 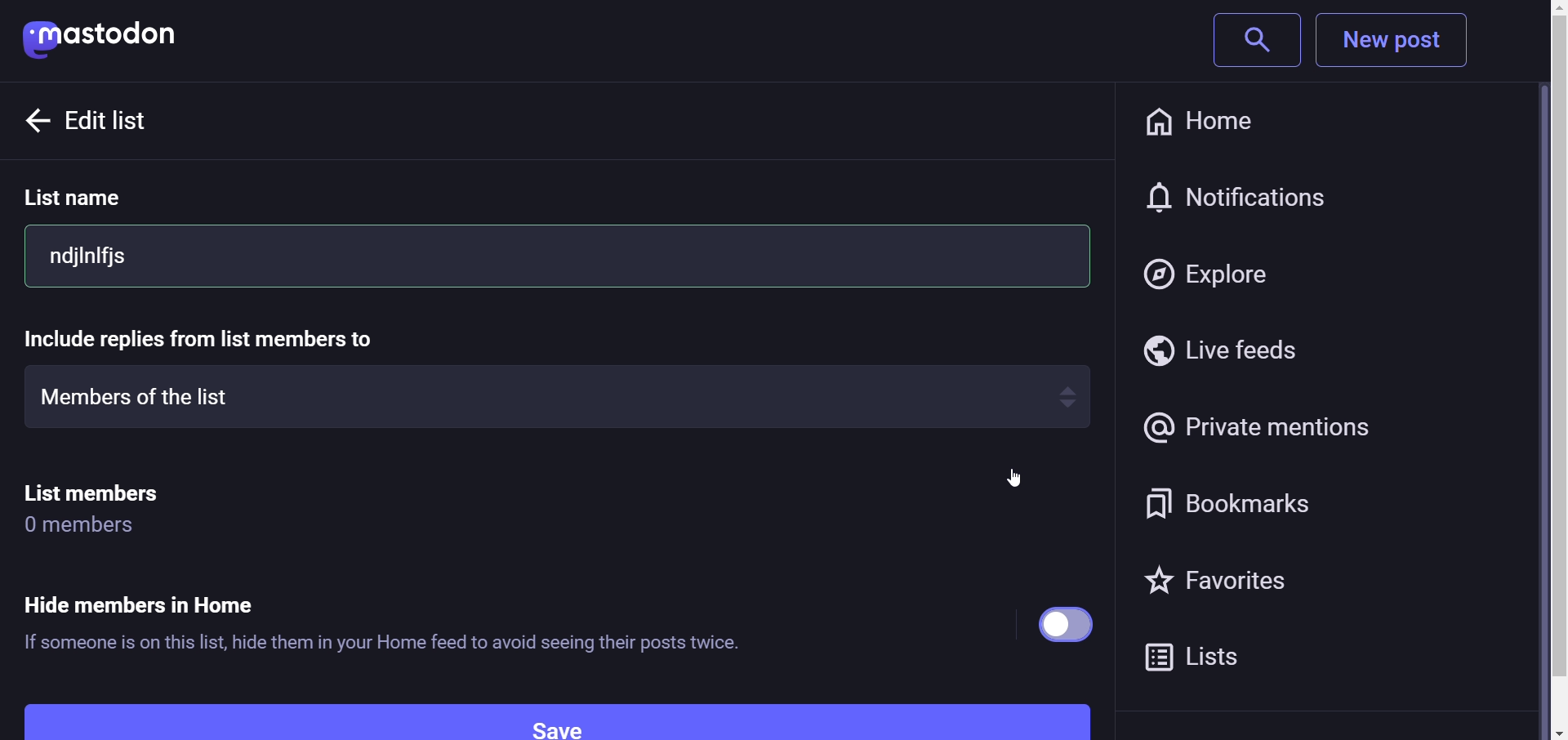 What do you see at coordinates (381, 640) in the screenshot?
I see `If someone is on this list, hide them in your Home feed to avoid seeing their posts twice.` at bounding box center [381, 640].